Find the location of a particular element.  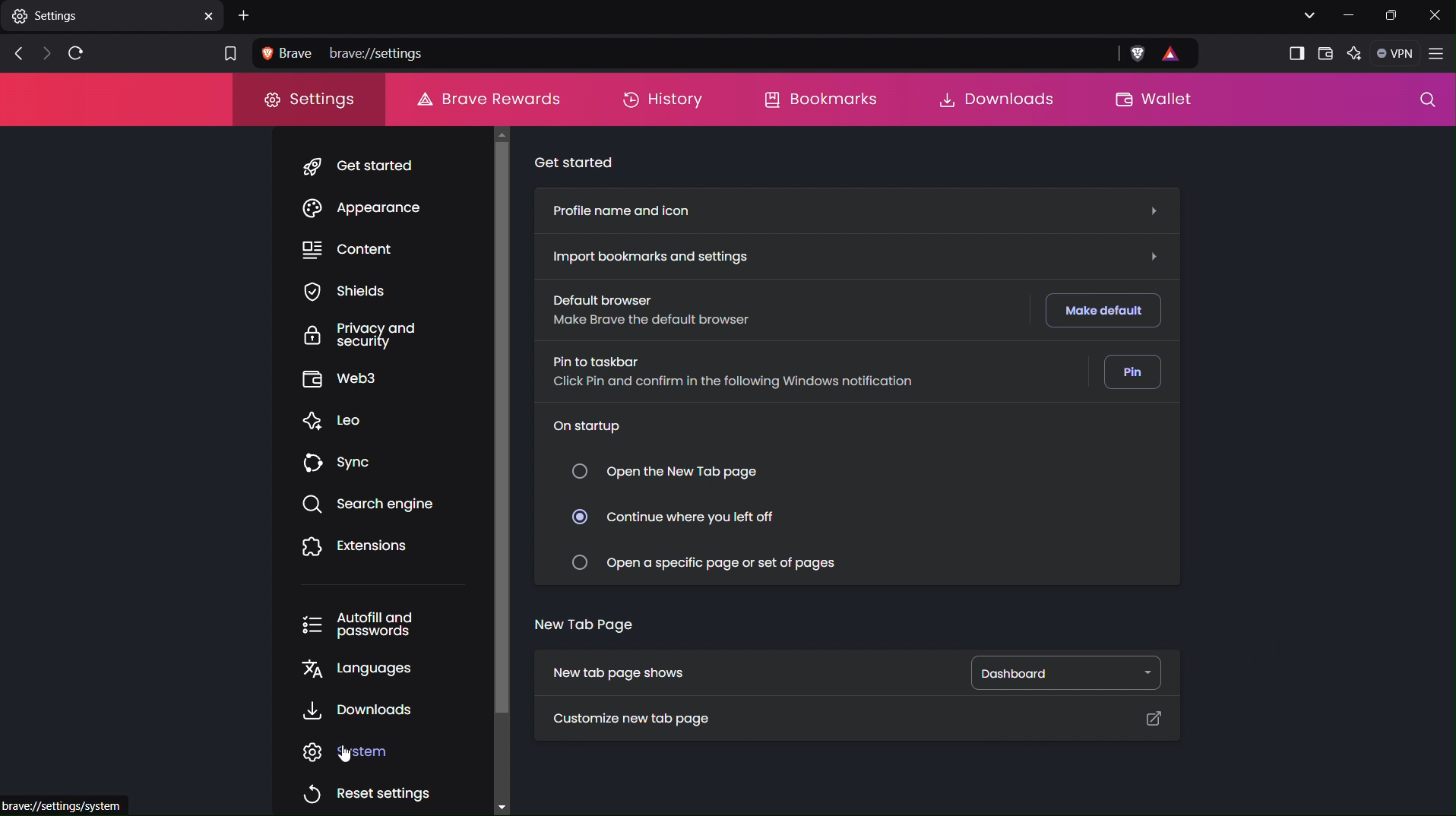

Refresh is located at coordinates (79, 52).